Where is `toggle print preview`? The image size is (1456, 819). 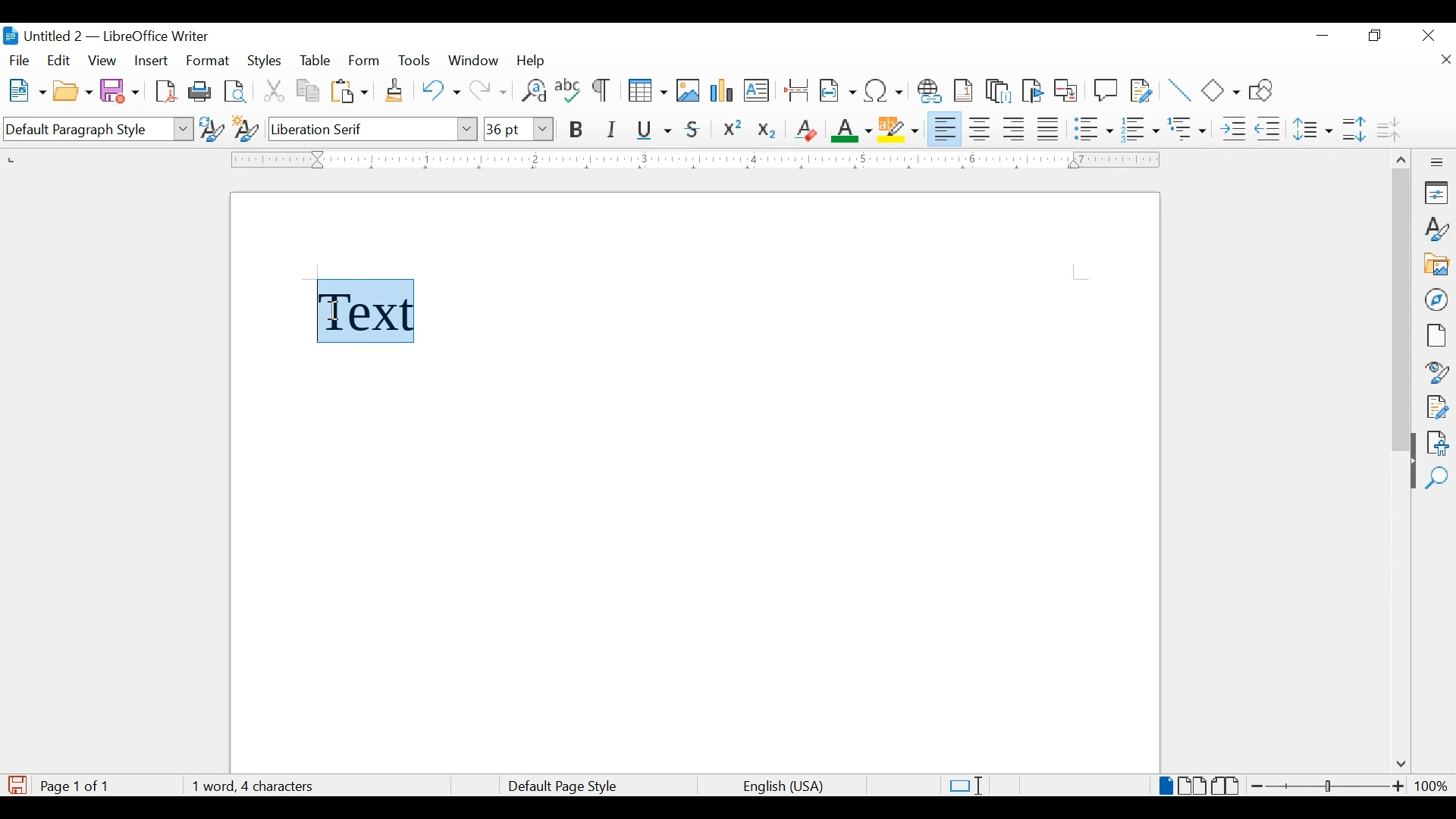 toggle print preview is located at coordinates (237, 91).